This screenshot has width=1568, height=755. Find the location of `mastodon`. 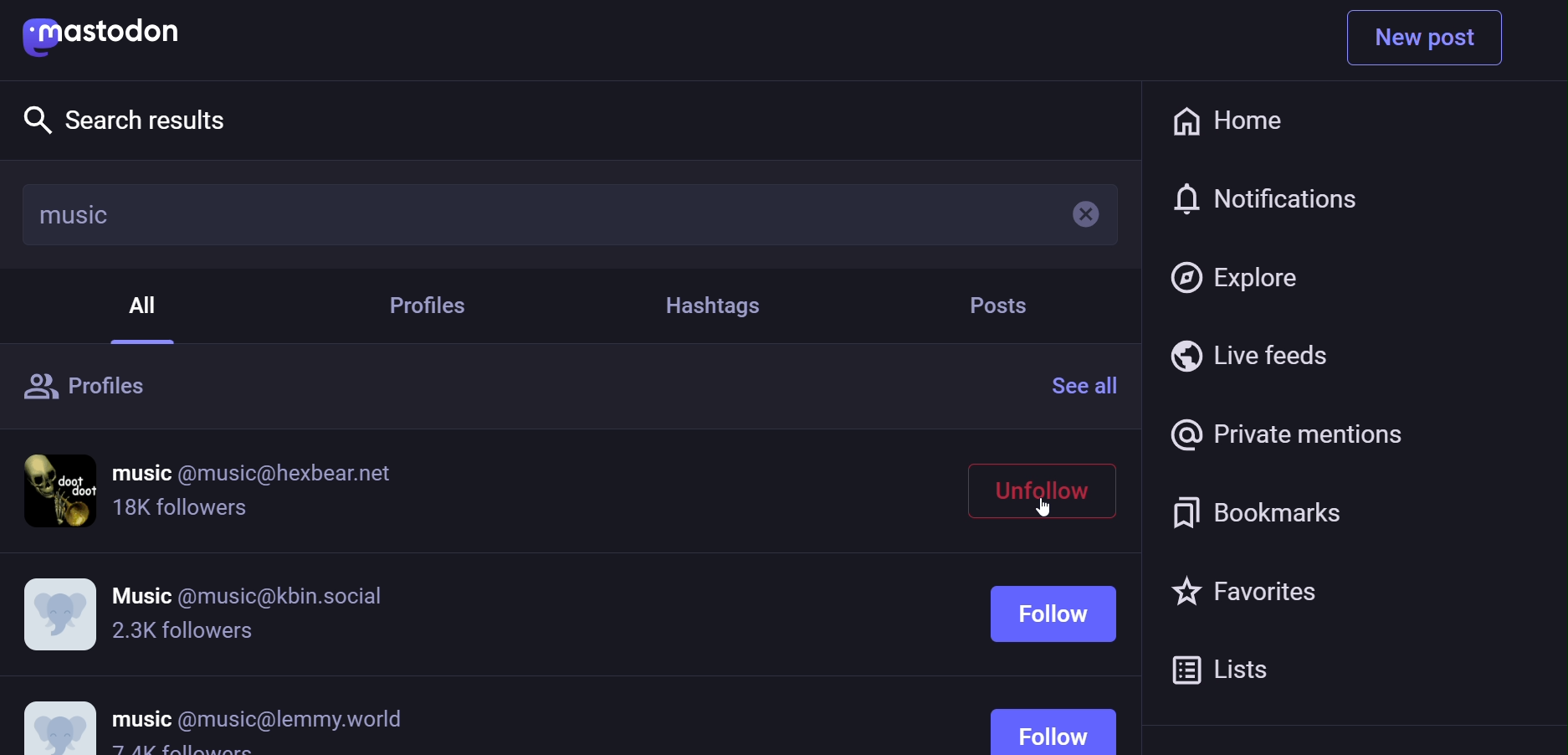

mastodon is located at coordinates (110, 33).